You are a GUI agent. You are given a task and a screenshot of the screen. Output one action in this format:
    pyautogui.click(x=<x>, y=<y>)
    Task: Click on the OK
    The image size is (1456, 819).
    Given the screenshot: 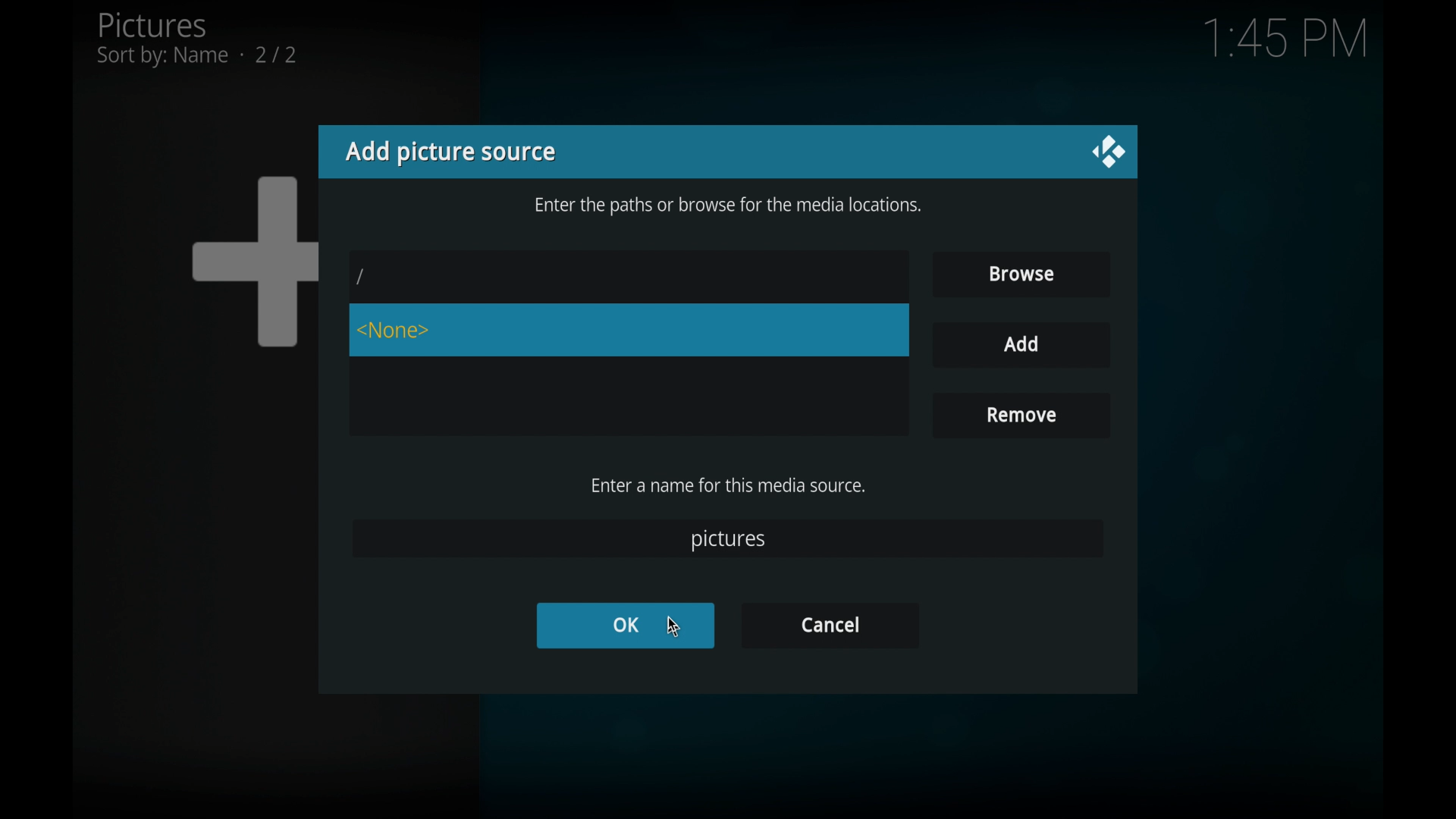 What is the action you would take?
    pyautogui.click(x=625, y=625)
    